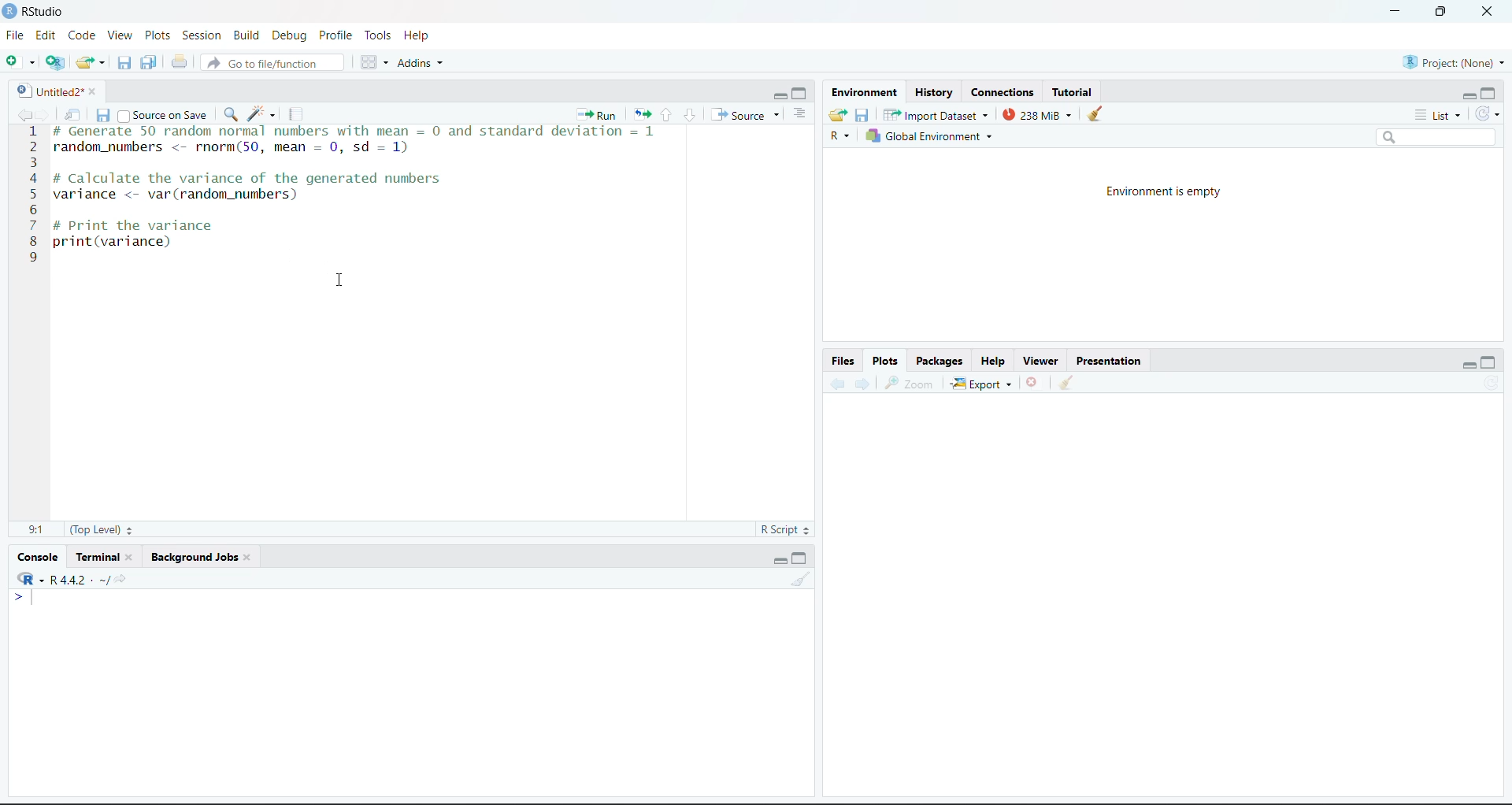  Describe the element at coordinates (1468, 98) in the screenshot. I see `minimize` at that location.